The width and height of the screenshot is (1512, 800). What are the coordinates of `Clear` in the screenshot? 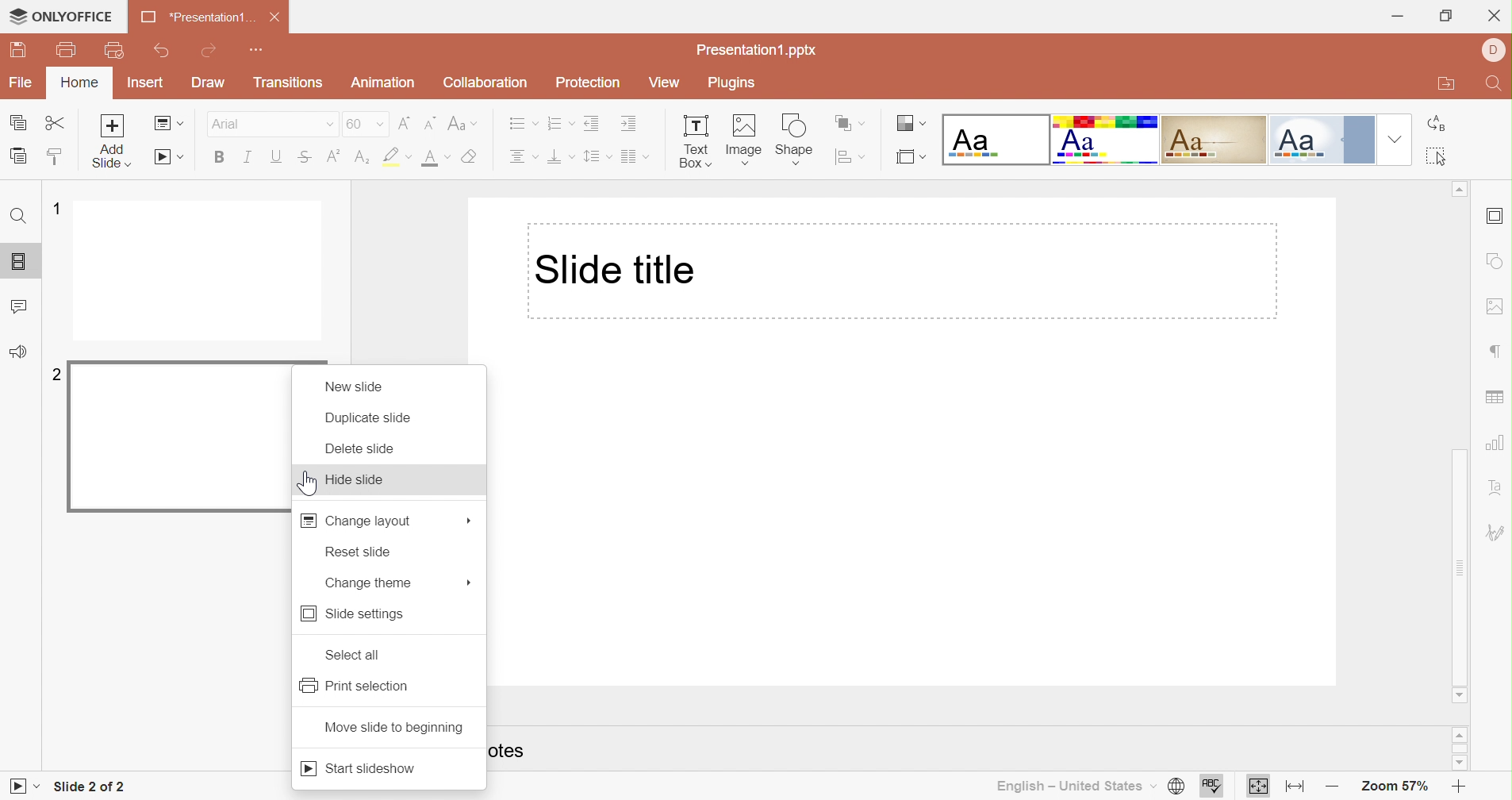 It's located at (472, 157).